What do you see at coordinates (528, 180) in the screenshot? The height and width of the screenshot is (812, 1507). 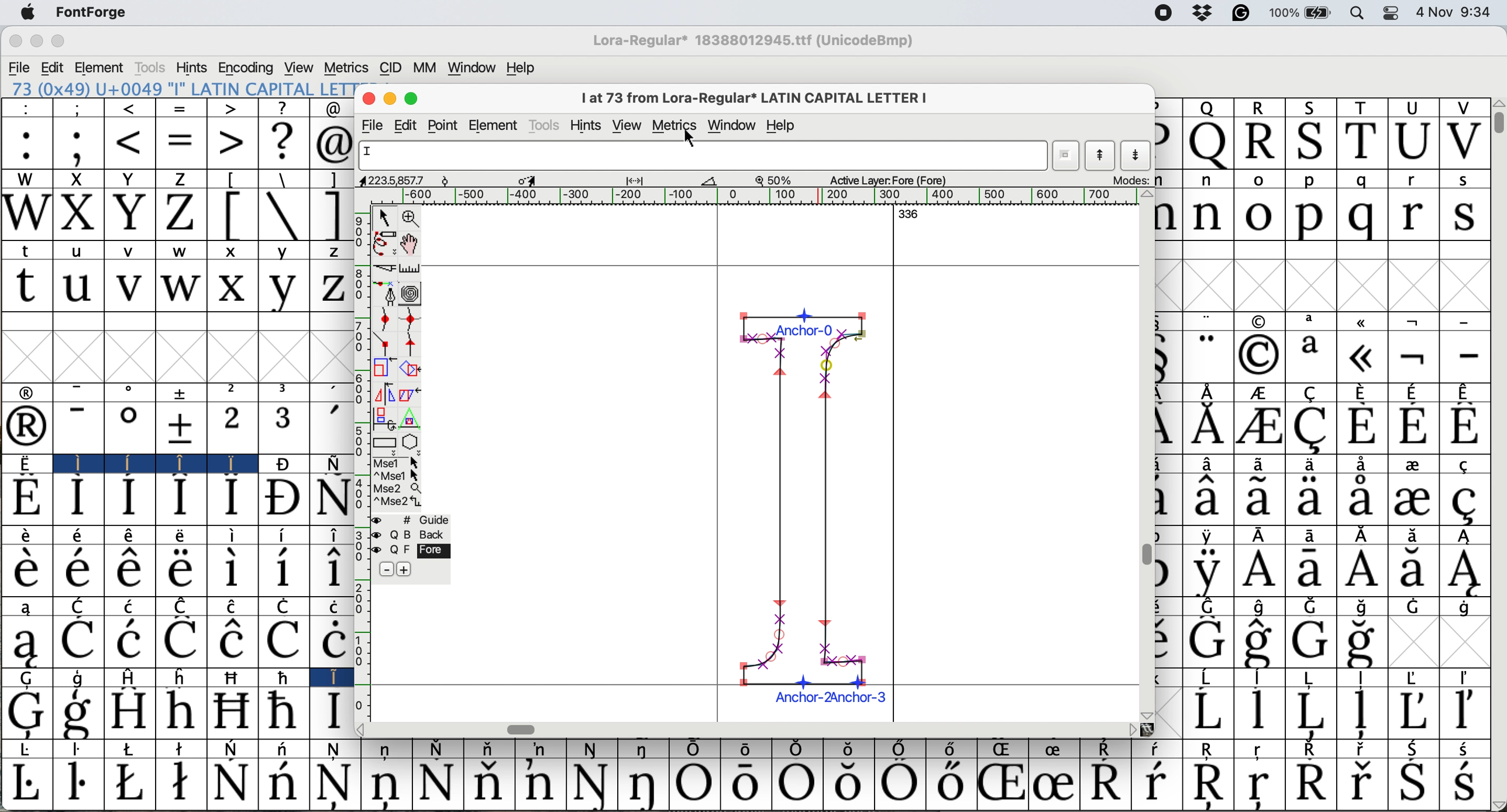 I see `` at bounding box center [528, 180].